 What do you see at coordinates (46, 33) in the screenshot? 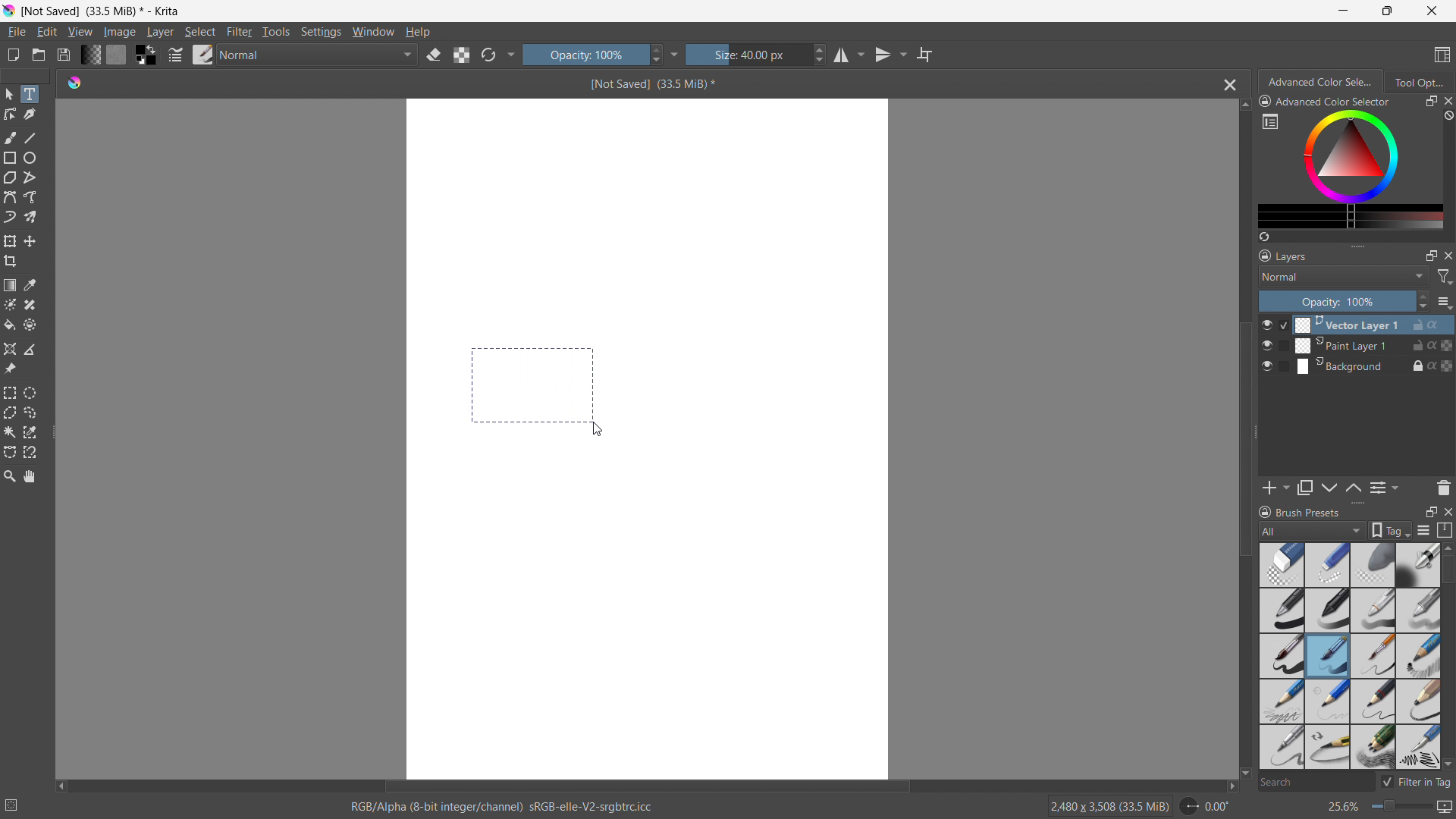
I see `edit` at bounding box center [46, 33].